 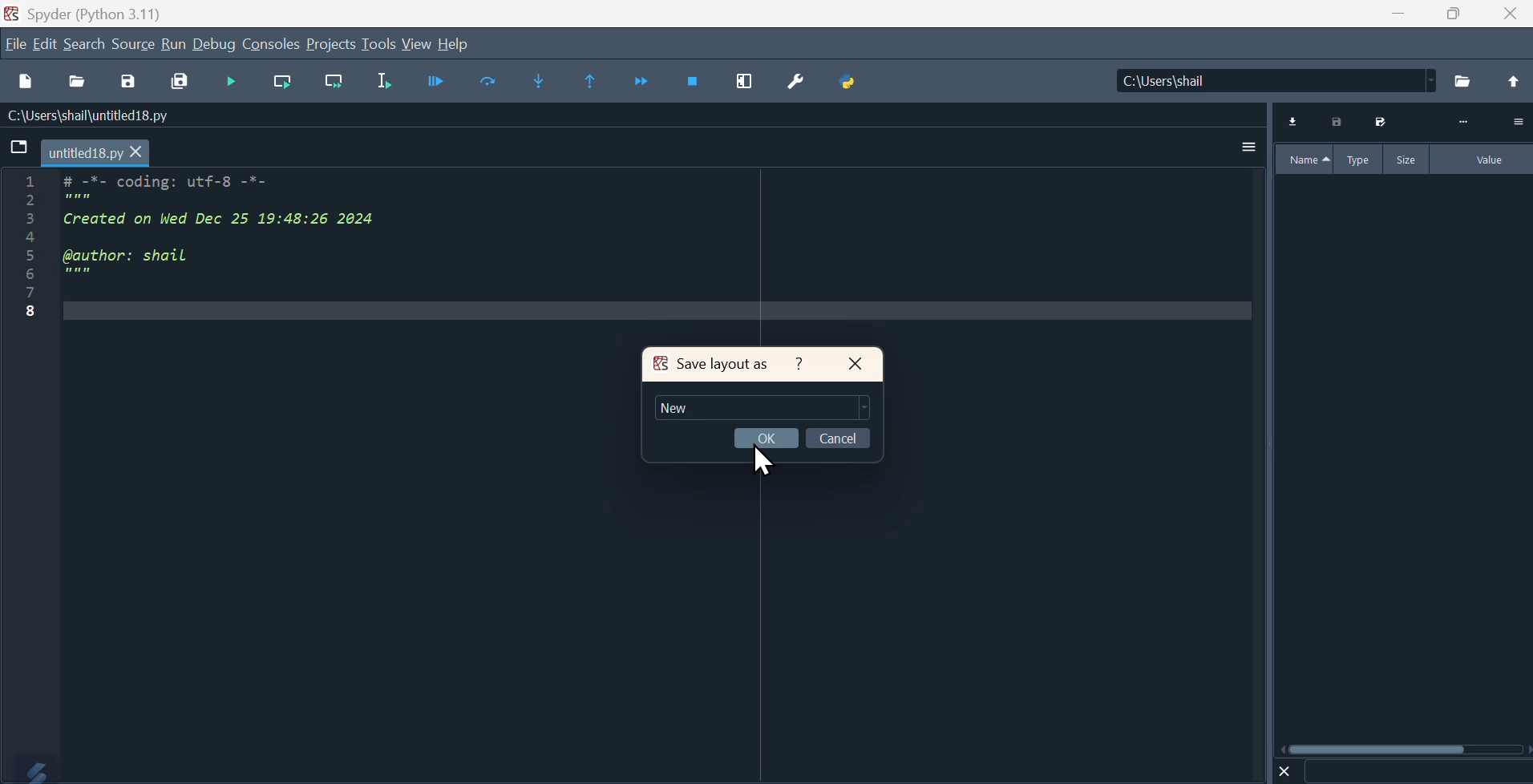 What do you see at coordinates (1512, 14) in the screenshot?
I see `Close` at bounding box center [1512, 14].